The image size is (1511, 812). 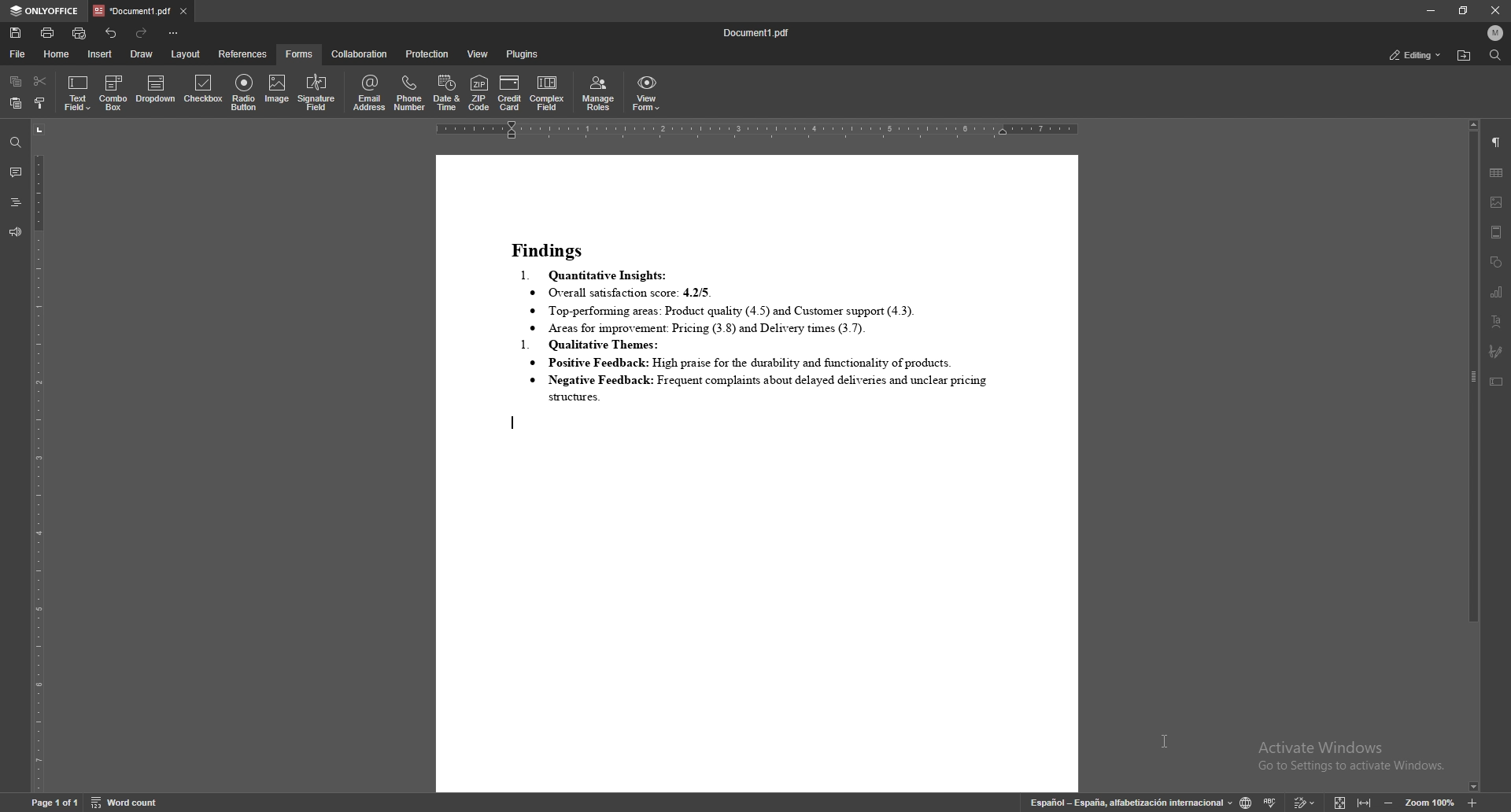 What do you see at coordinates (1497, 202) in the screenshot?
I see `image` at bounding box center [1497, 202].